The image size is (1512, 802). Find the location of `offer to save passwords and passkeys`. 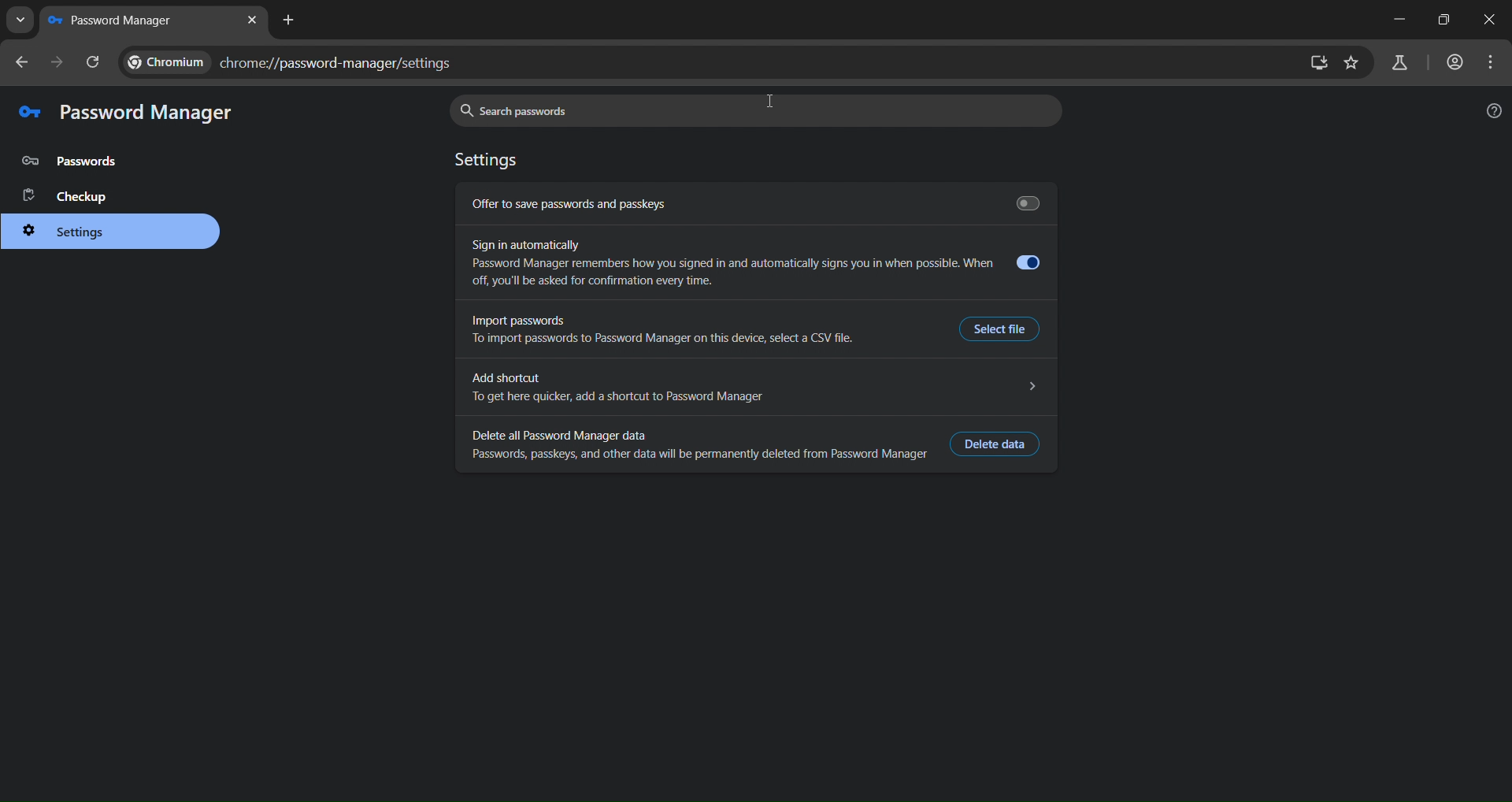

offer to save passwords and passkeys is located at coordinates (719, 205).